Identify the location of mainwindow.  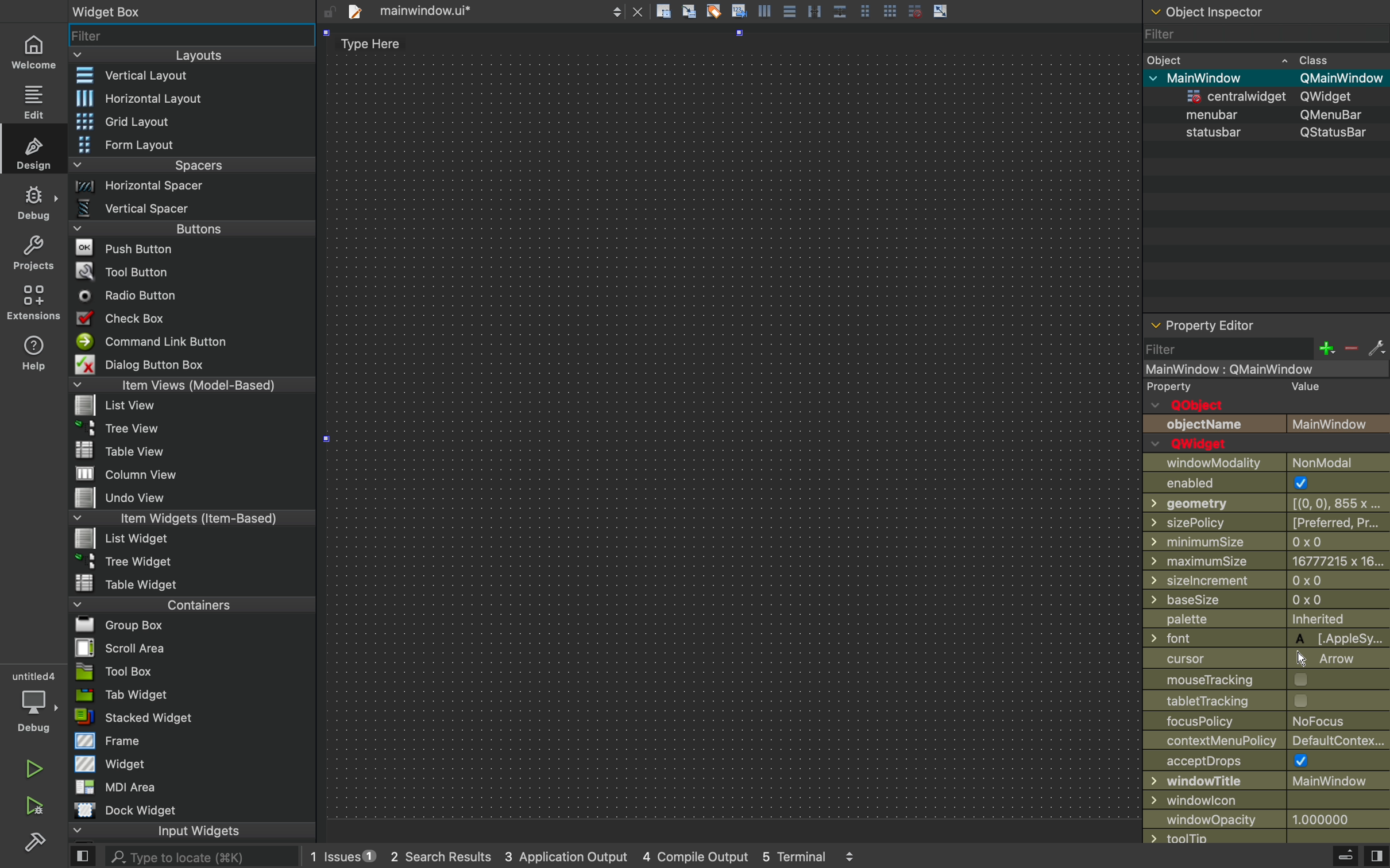
(1264, 370).